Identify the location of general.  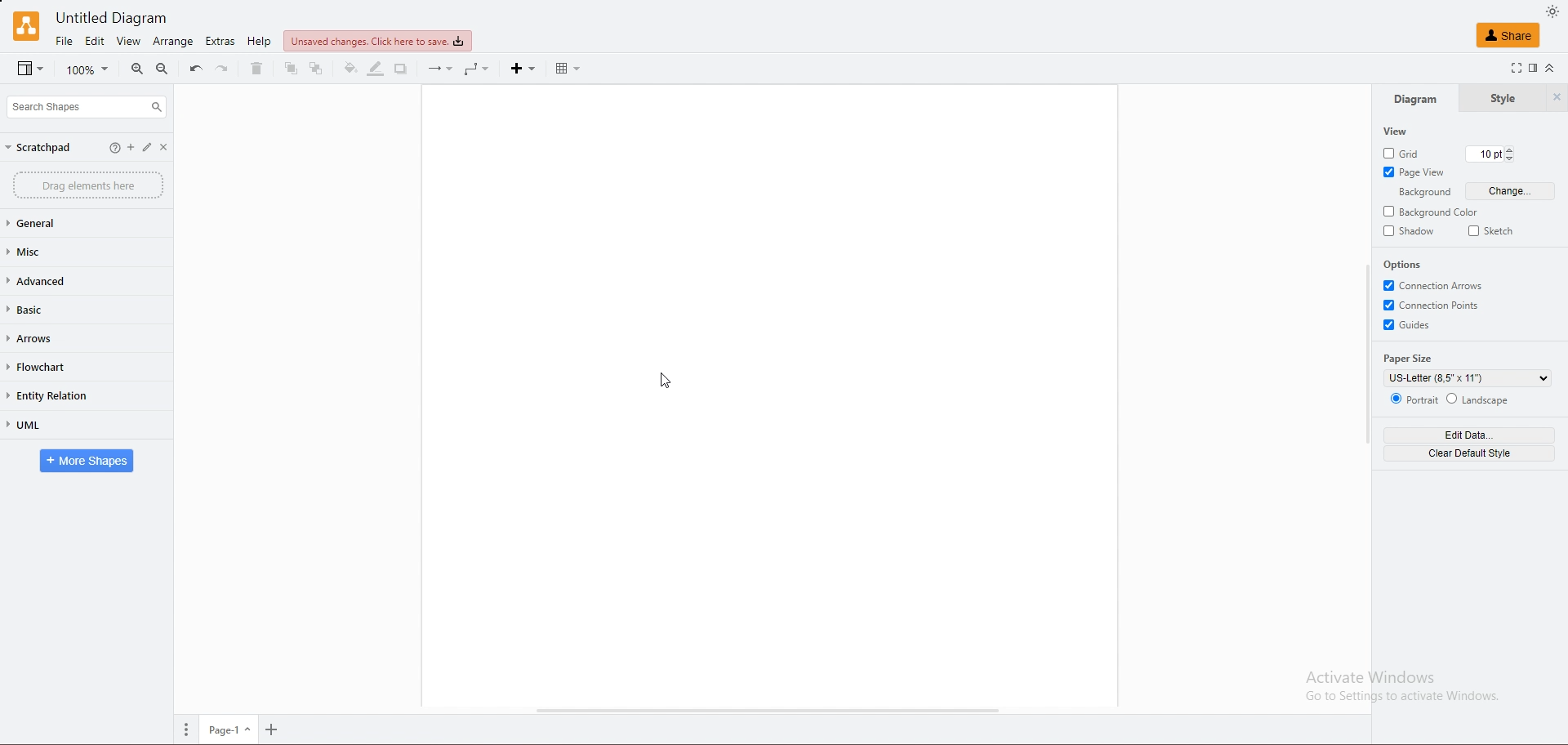
(51, 223).